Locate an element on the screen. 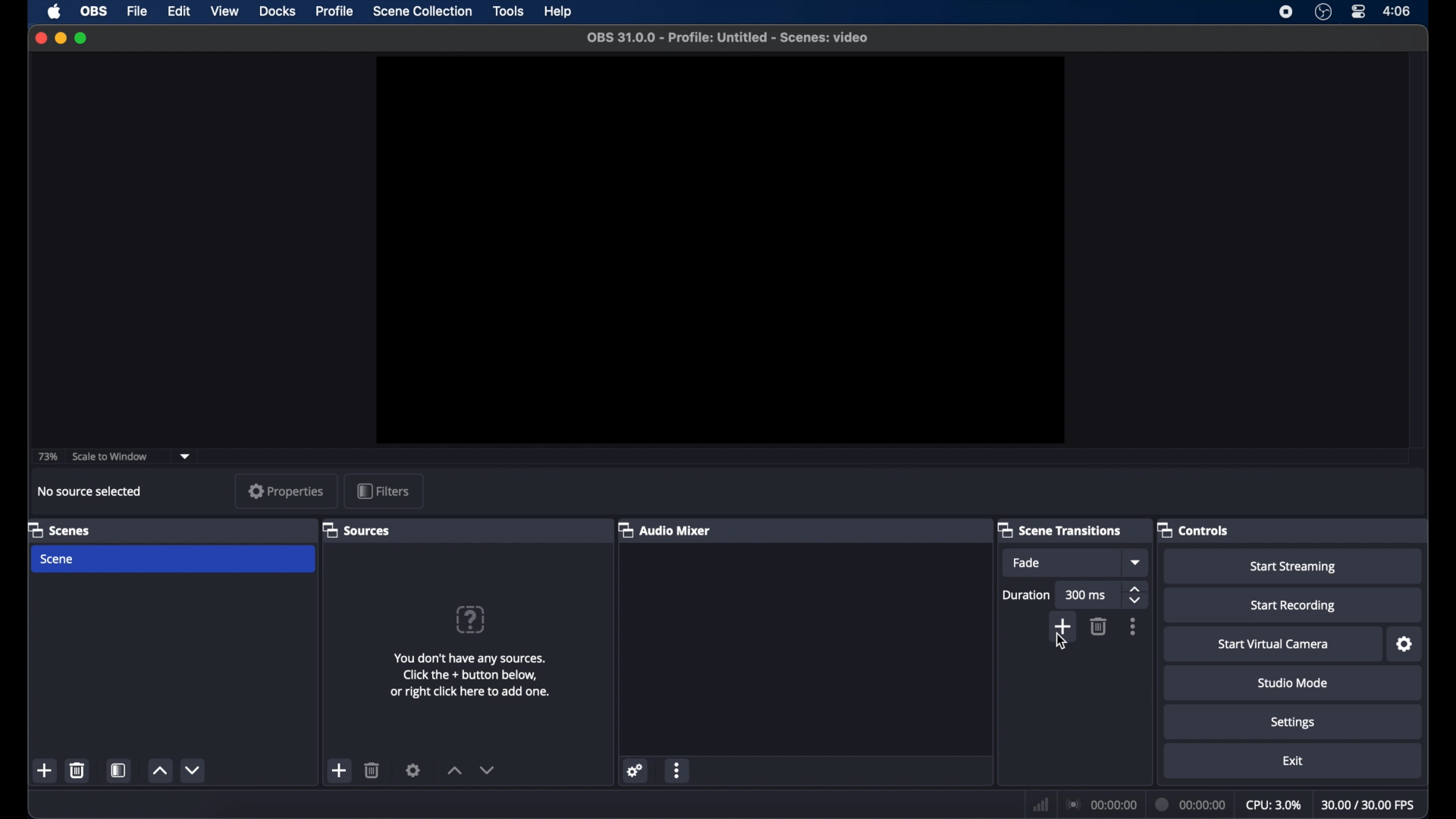 Image resolution: width=1456 pixels, height=819 pixels. time is located at coordinates (1398, 11).